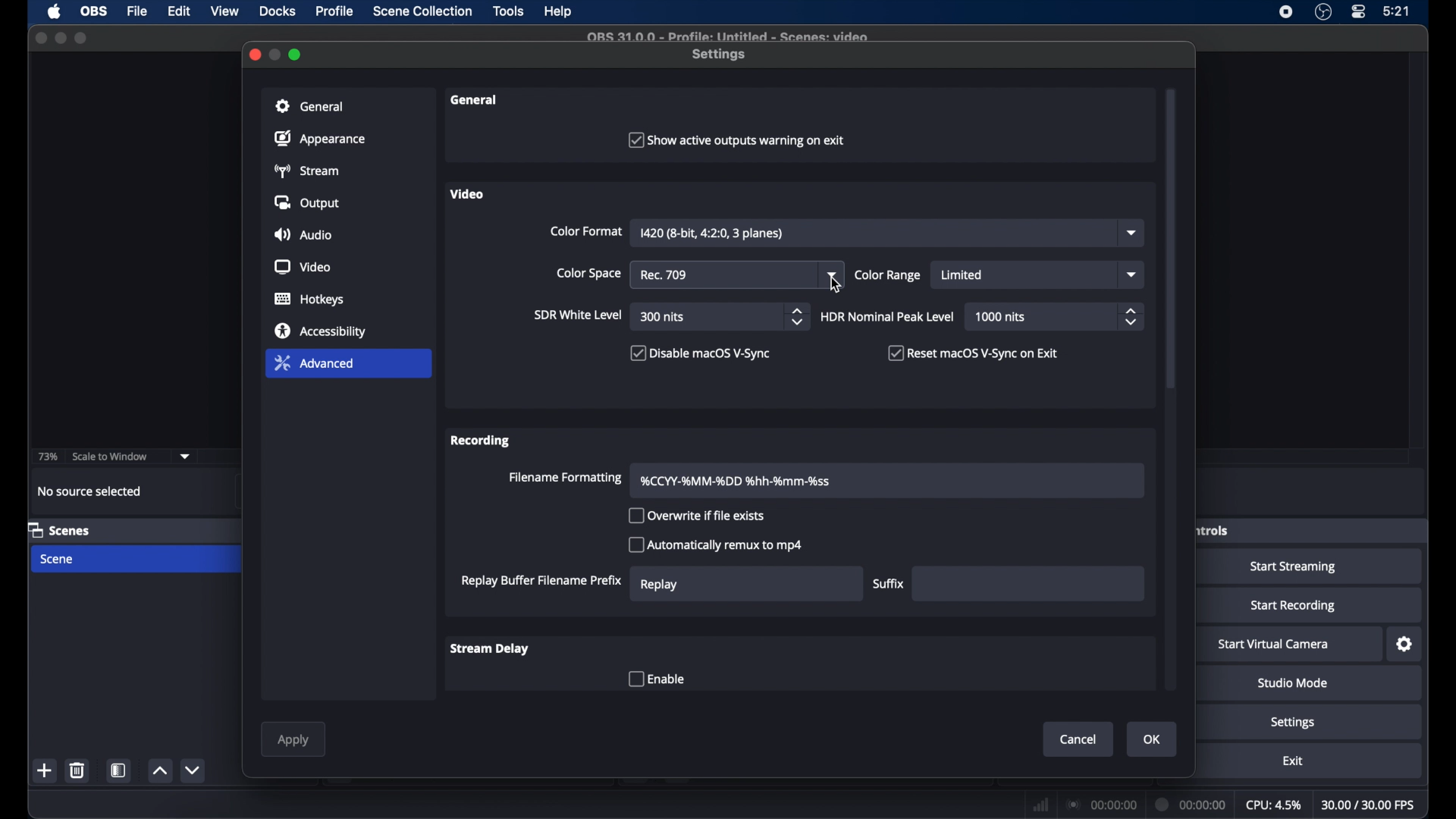  Describe the element at coordinates (119, 771) in the screenshot. I see `scene filters` at that location.